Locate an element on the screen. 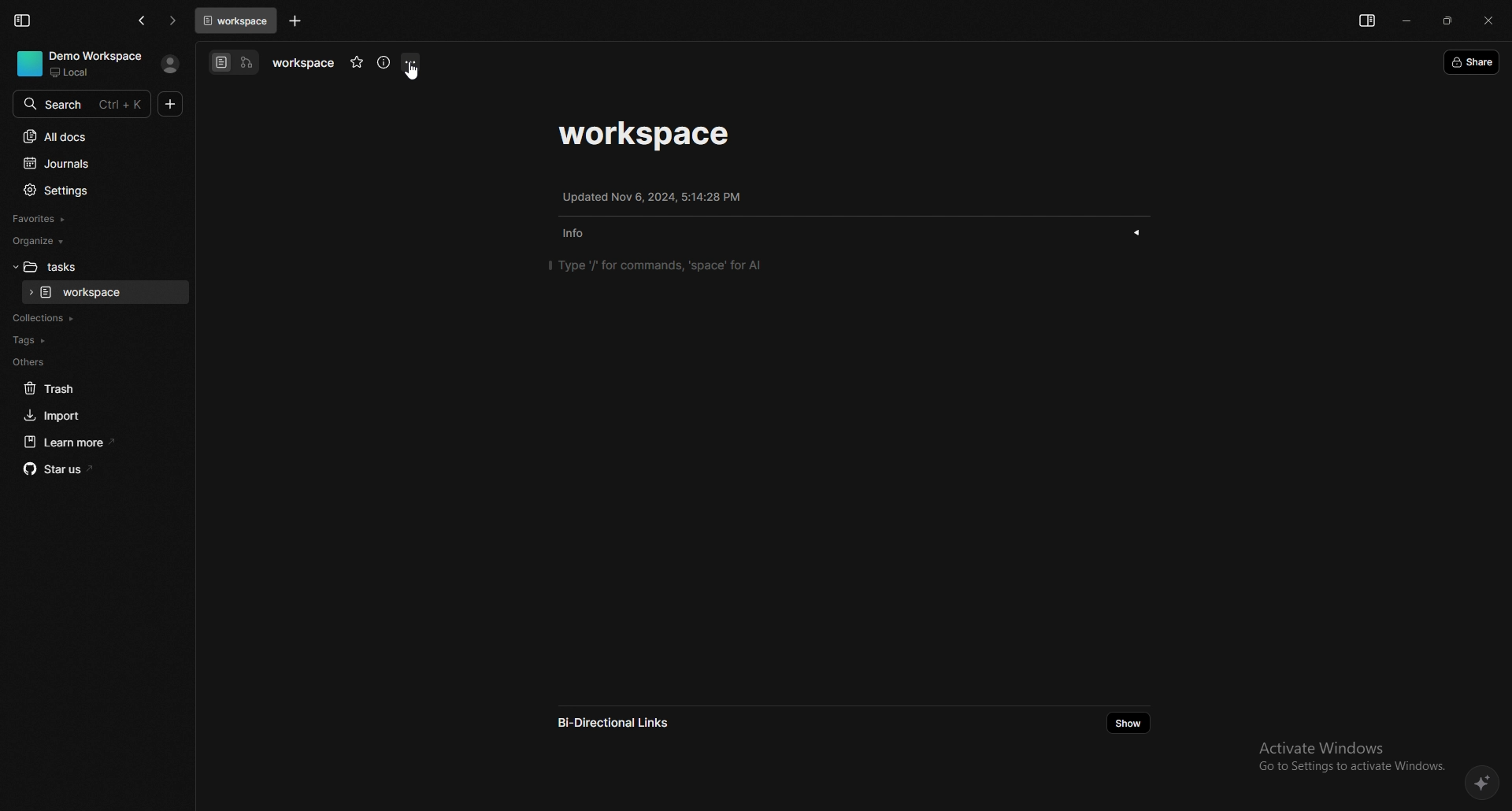 The width and height of the screenshot is (1512, 811). favourite is located at coordinates (356, 63).